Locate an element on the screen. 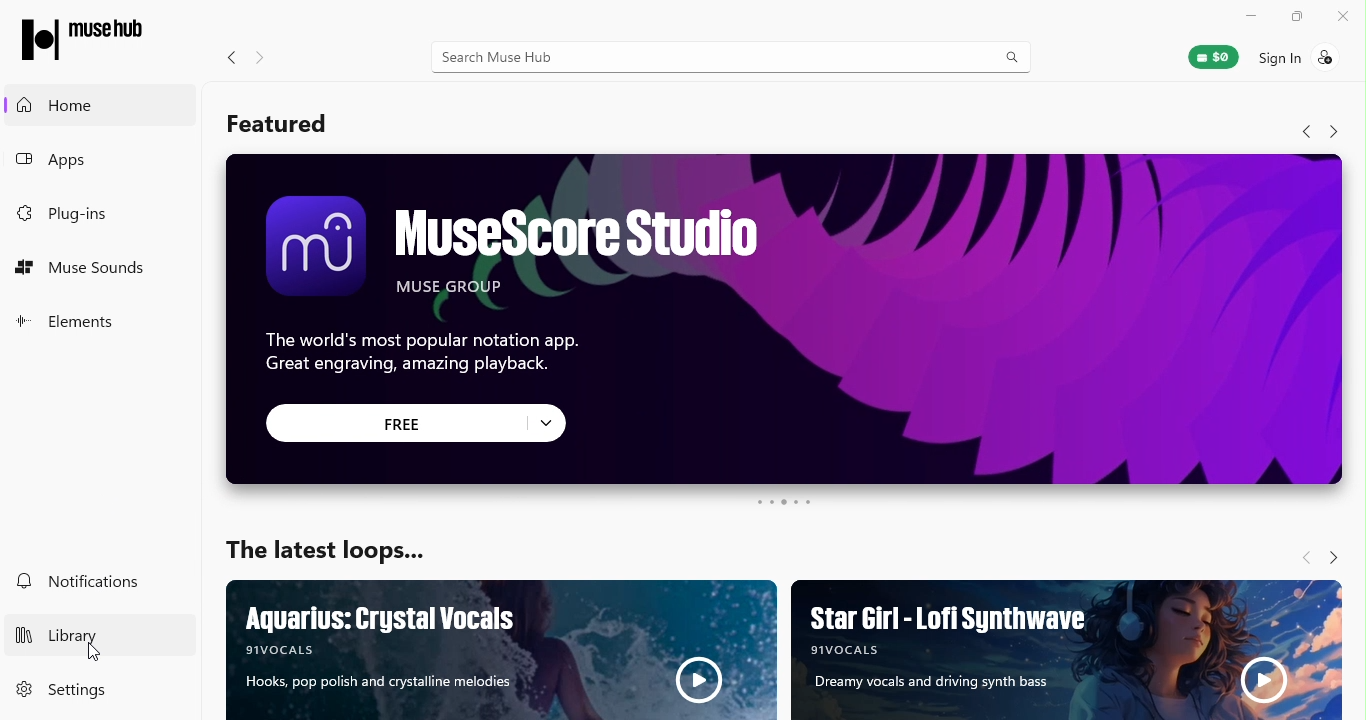  Notifications is located at coordinates (100, 582).